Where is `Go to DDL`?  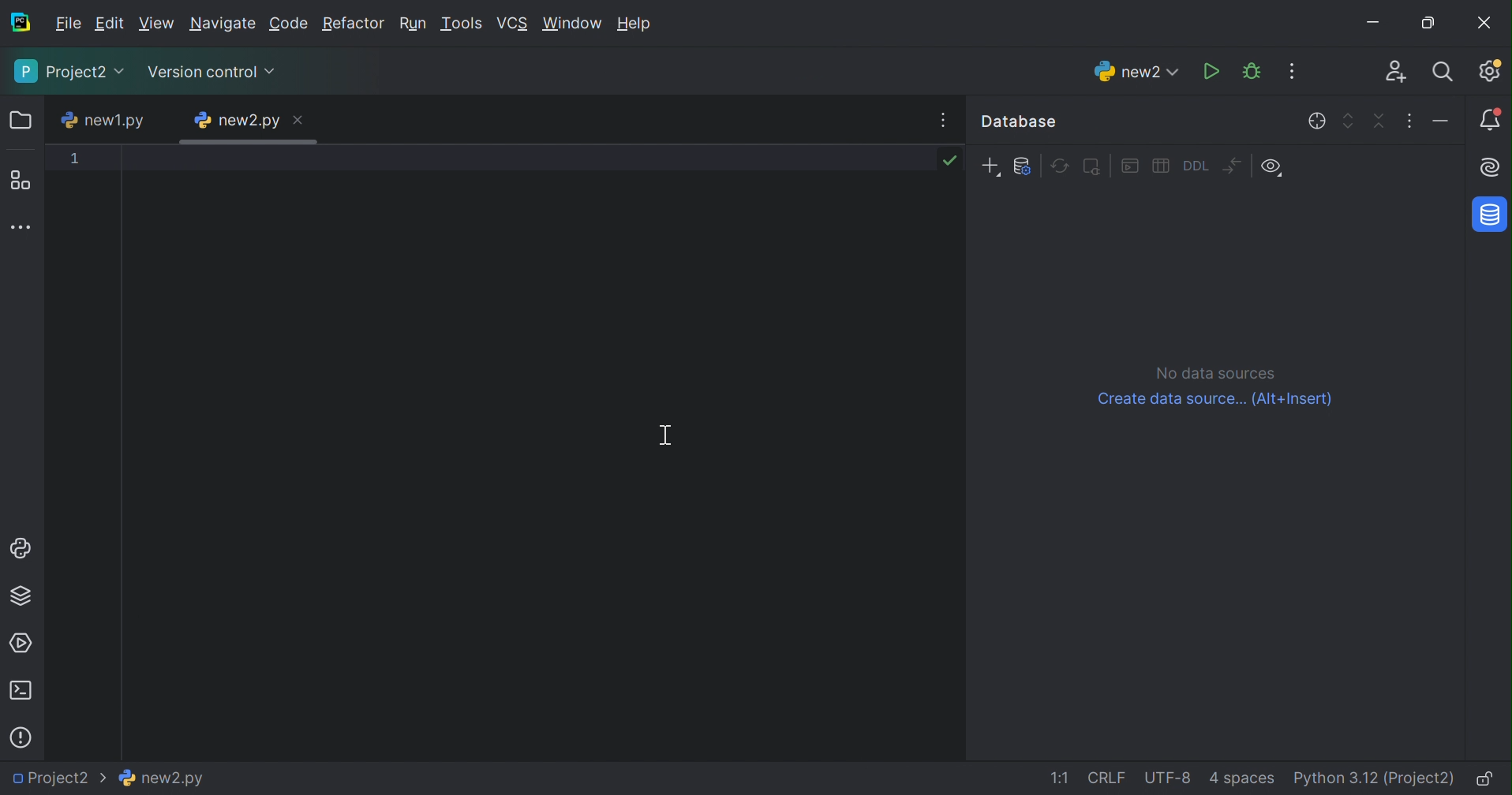
Go to DDL is located at coordinates (1195, 166).